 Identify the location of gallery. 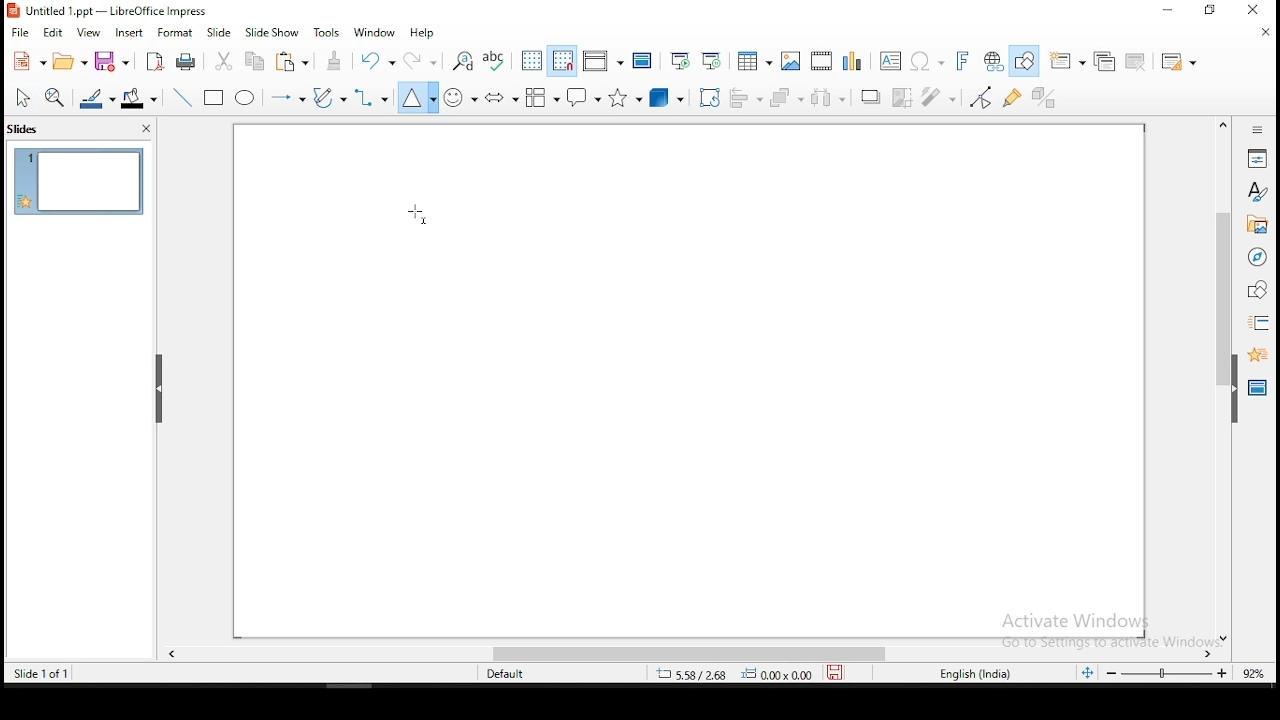
(1256, 227).